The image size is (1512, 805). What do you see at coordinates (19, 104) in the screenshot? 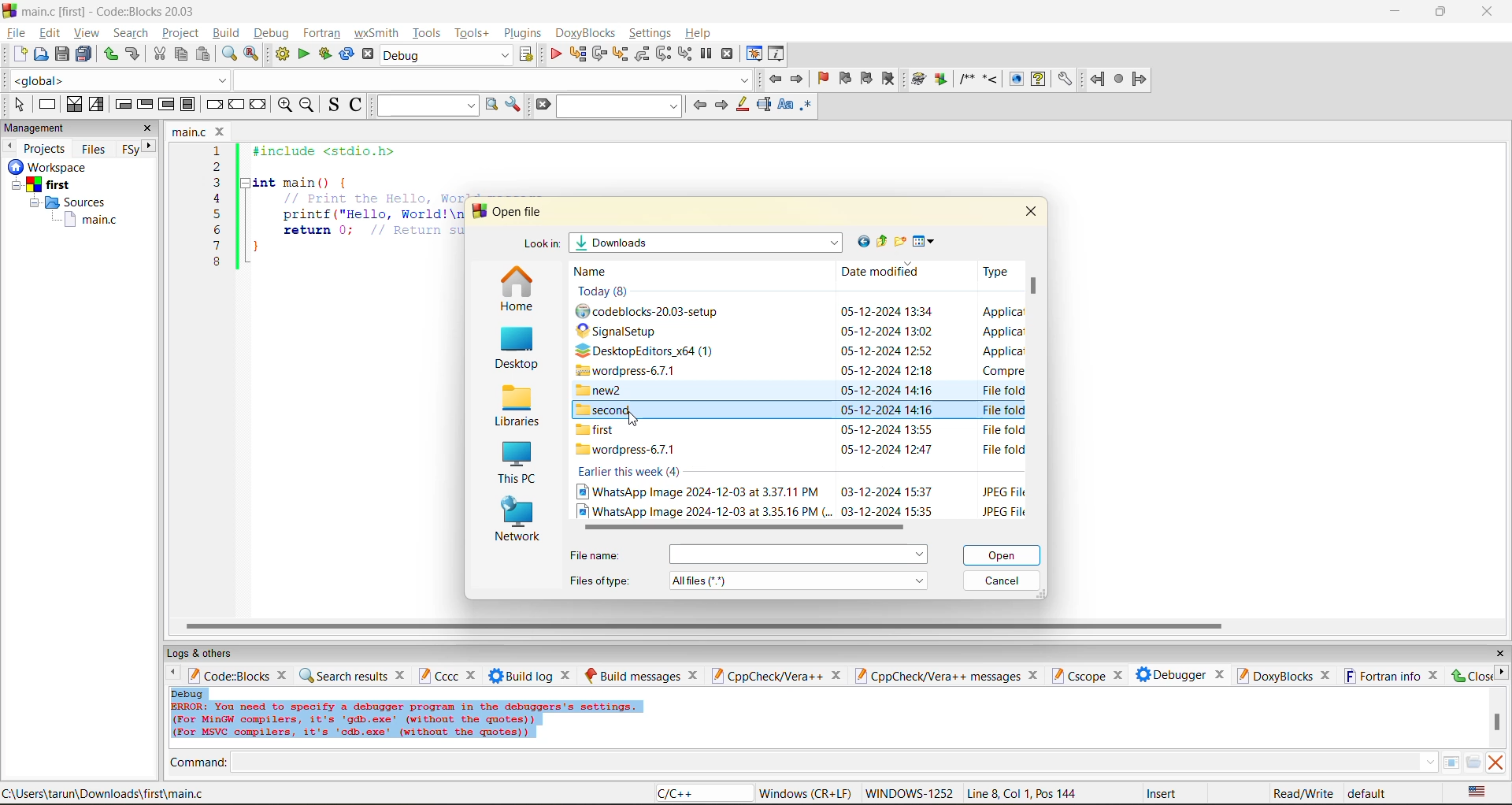
I see `select` at bounding box center [19, 104].